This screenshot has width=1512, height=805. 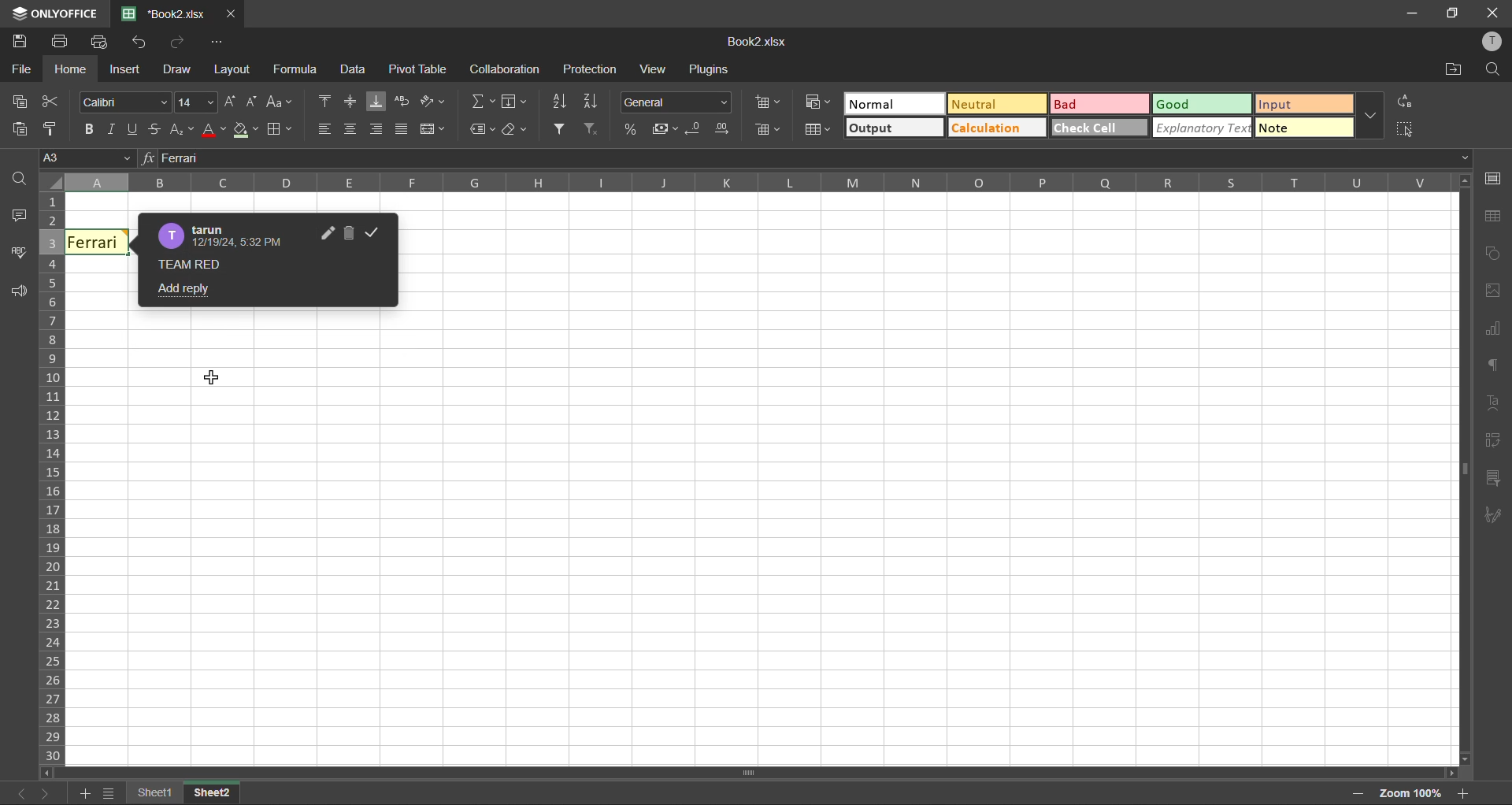 I want to click on file, so click(x=17, y=69).